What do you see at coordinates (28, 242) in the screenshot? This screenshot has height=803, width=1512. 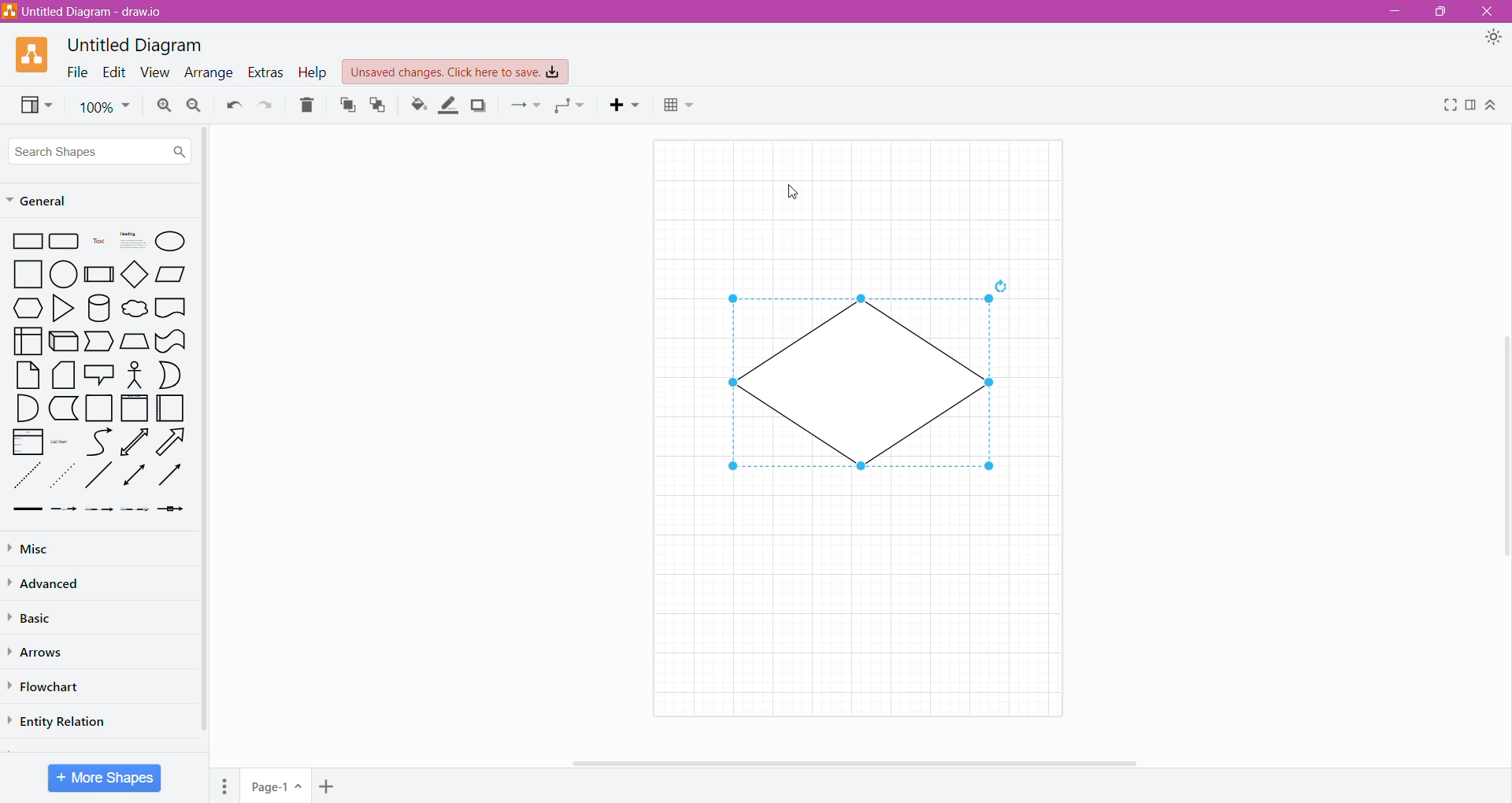 I see `Rectangle` at bounding box center [28, 242].